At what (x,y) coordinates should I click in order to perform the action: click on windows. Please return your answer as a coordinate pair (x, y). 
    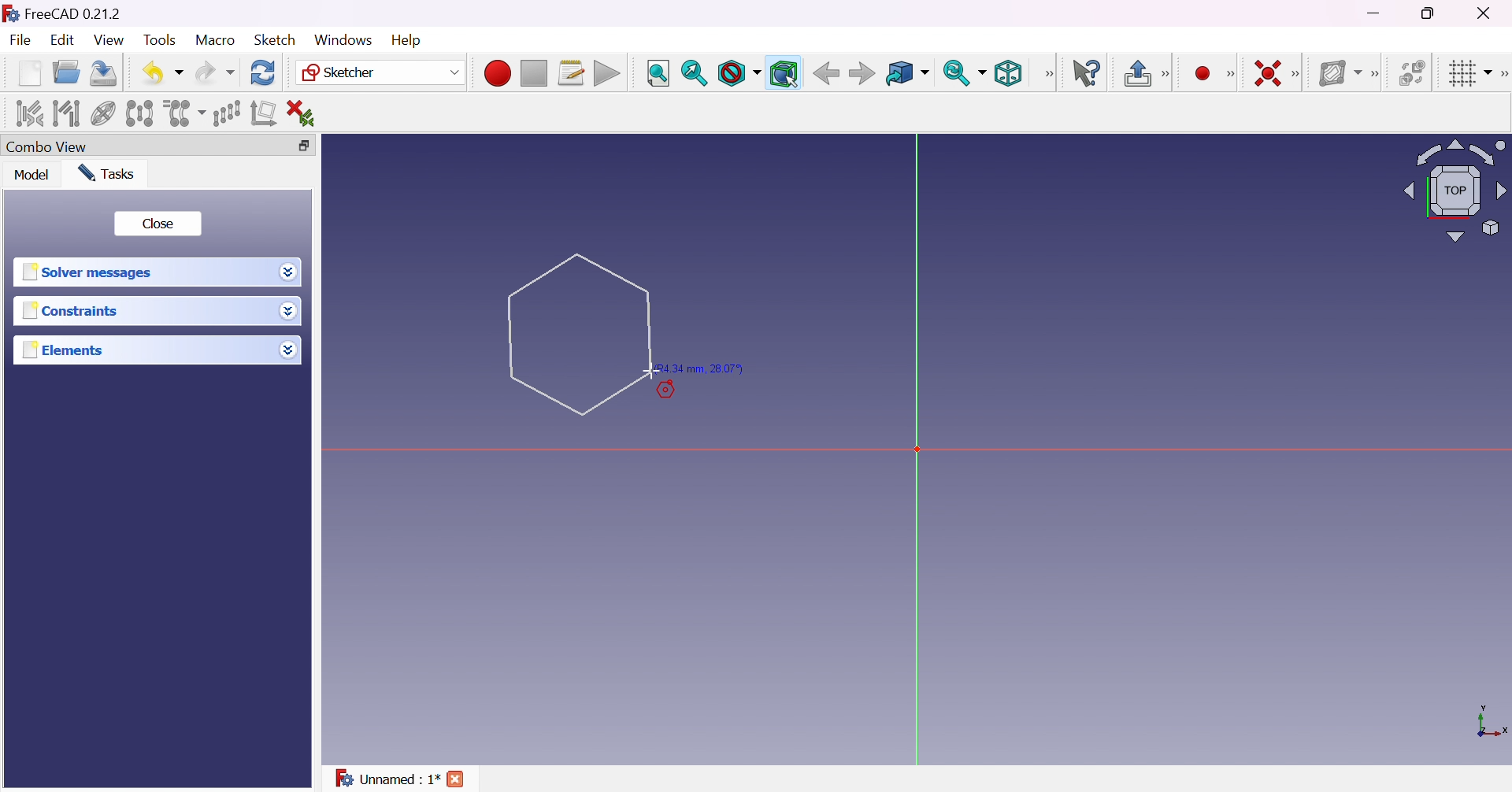
    Looking at the image, I should click on (343, 40).